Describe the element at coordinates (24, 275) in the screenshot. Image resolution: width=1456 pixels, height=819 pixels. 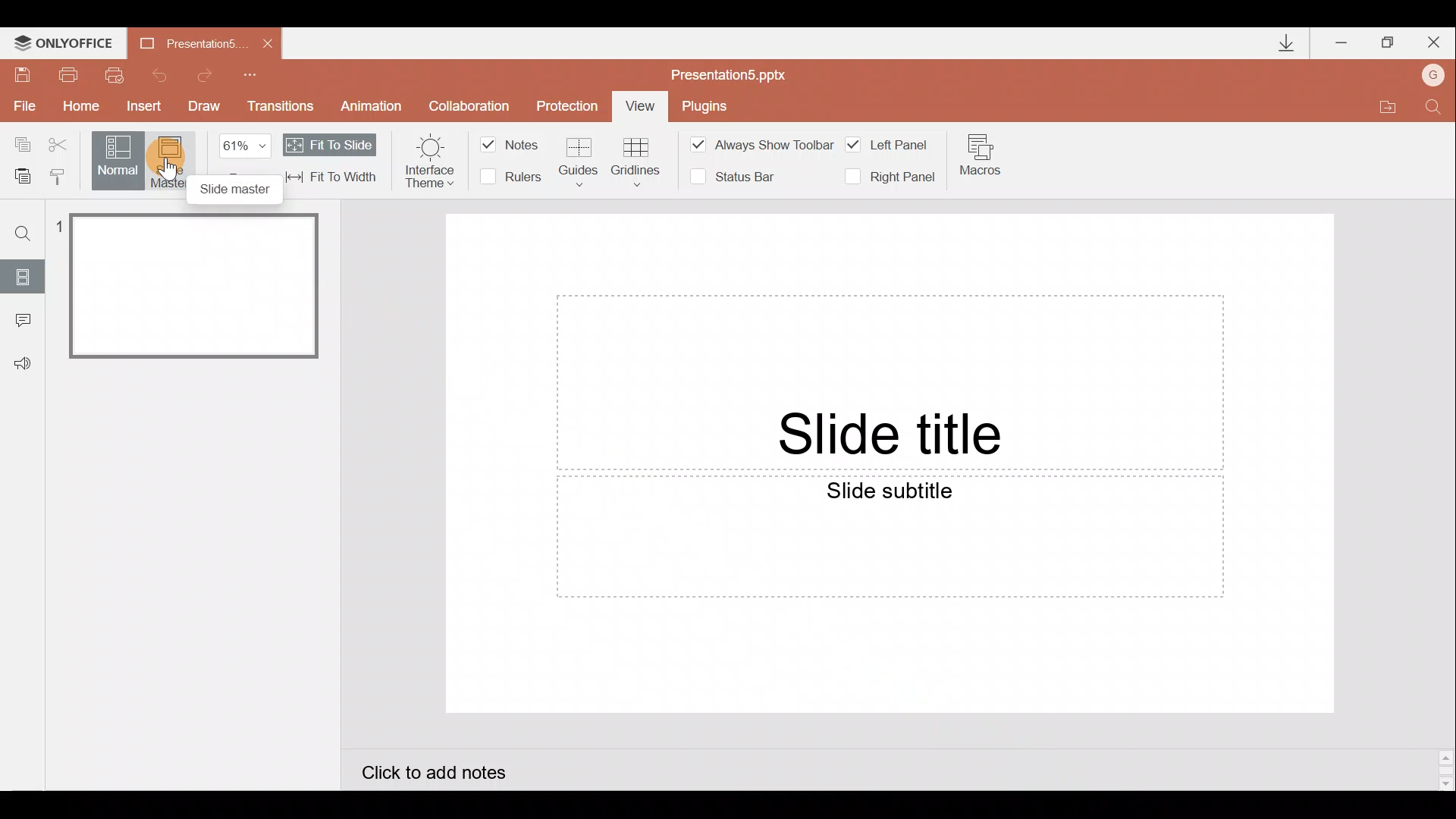
I see `Slides` at that location.